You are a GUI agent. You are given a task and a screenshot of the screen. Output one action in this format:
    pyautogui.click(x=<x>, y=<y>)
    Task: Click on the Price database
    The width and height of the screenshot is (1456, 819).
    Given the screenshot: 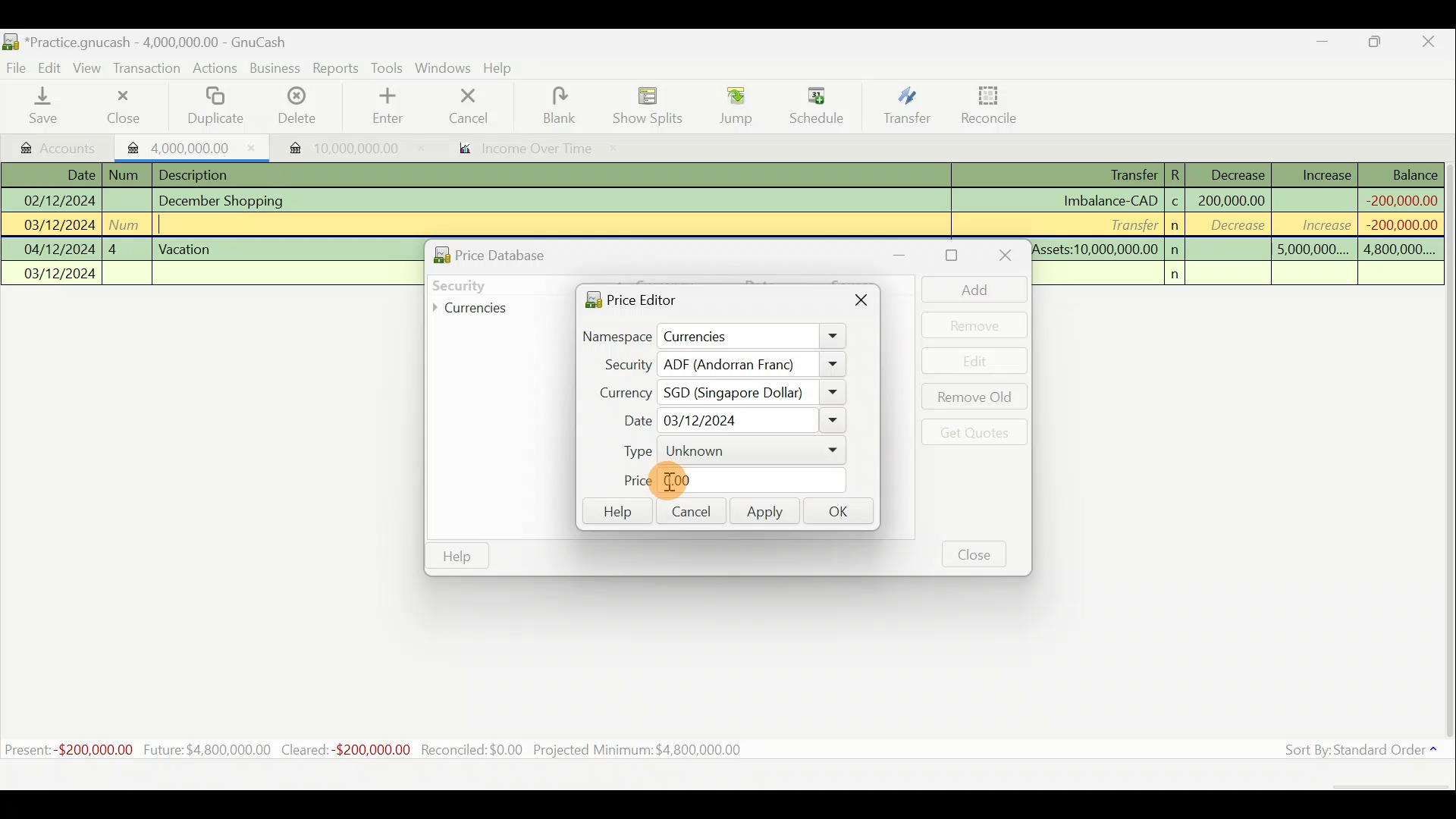 What is the action you would take?
    pyautogui.click(x=524, y=253)
    